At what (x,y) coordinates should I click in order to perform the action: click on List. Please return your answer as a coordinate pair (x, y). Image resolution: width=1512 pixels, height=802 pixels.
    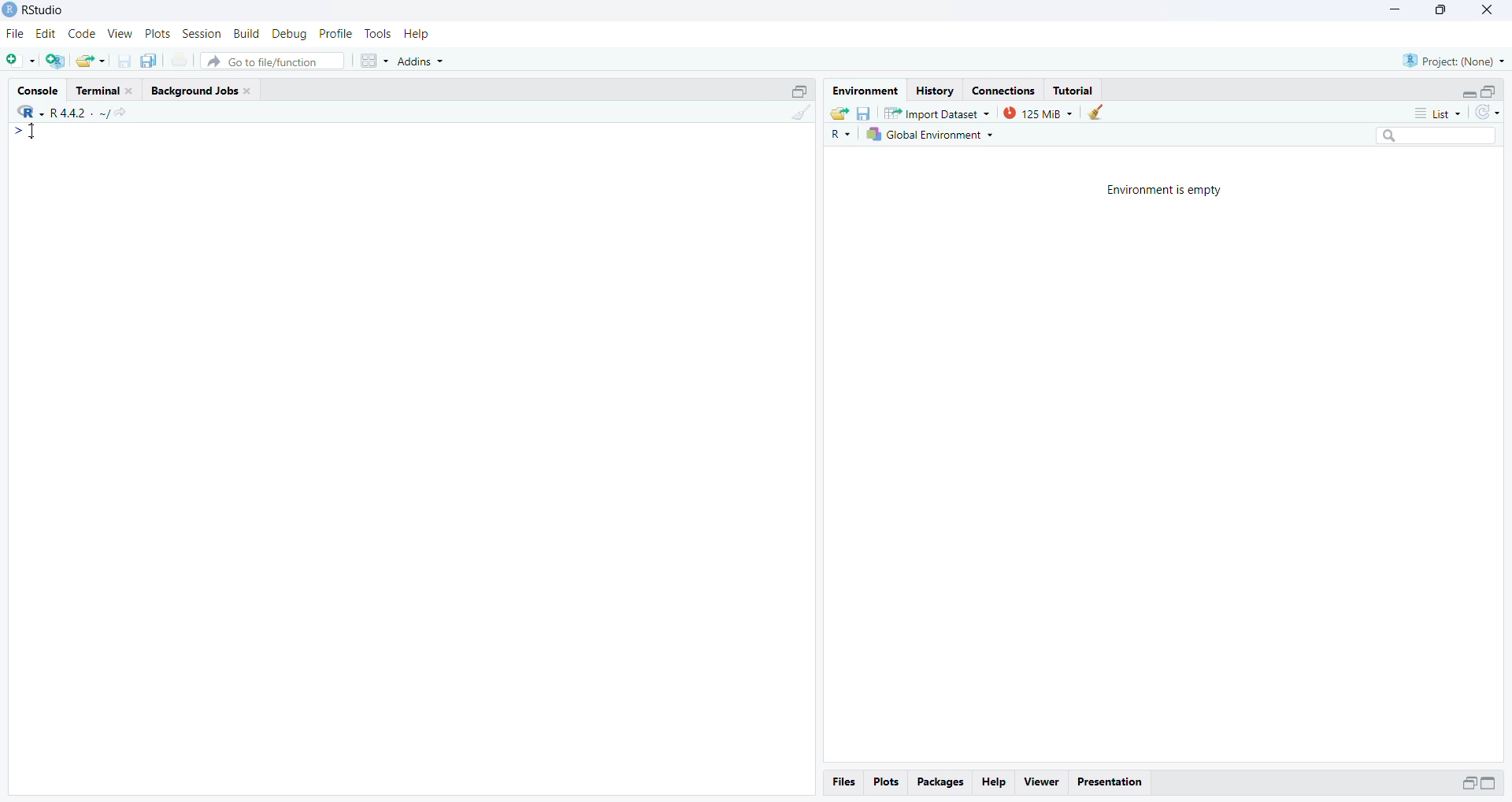
    Looking at the image, I should click on (1437, 112).